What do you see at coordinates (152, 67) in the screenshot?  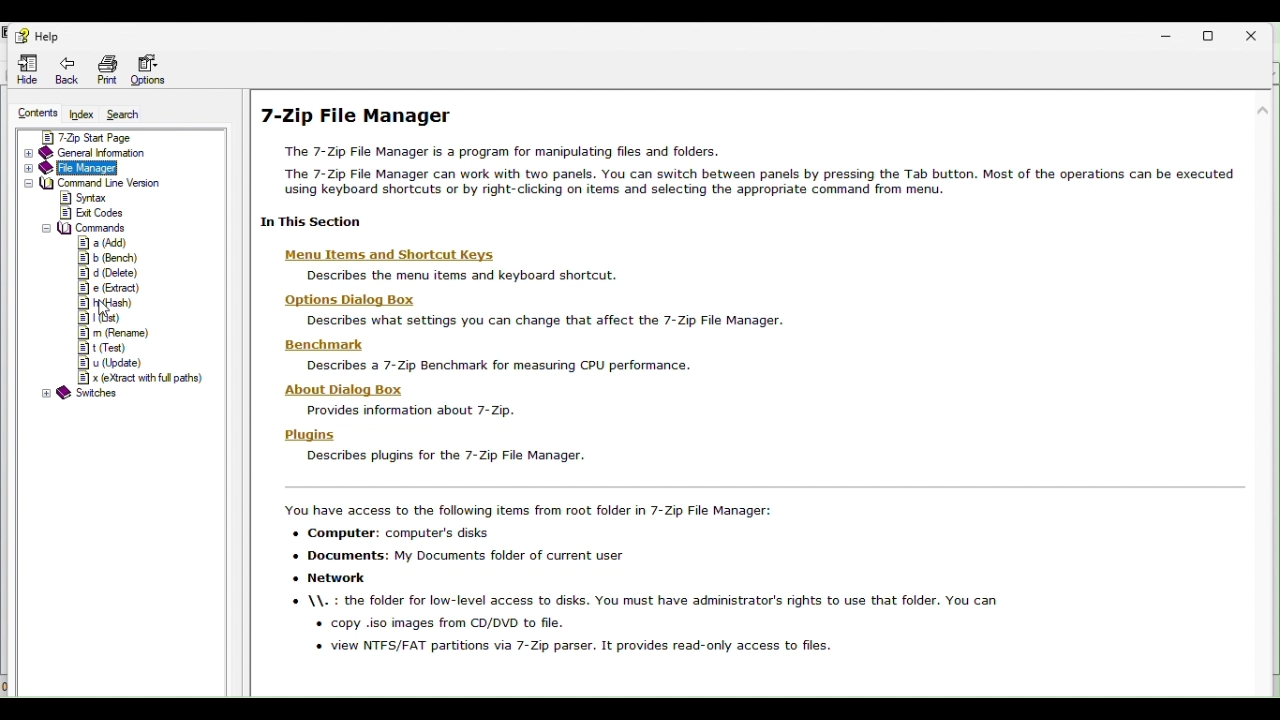 I see `Options` at bounding box center [152, 67].